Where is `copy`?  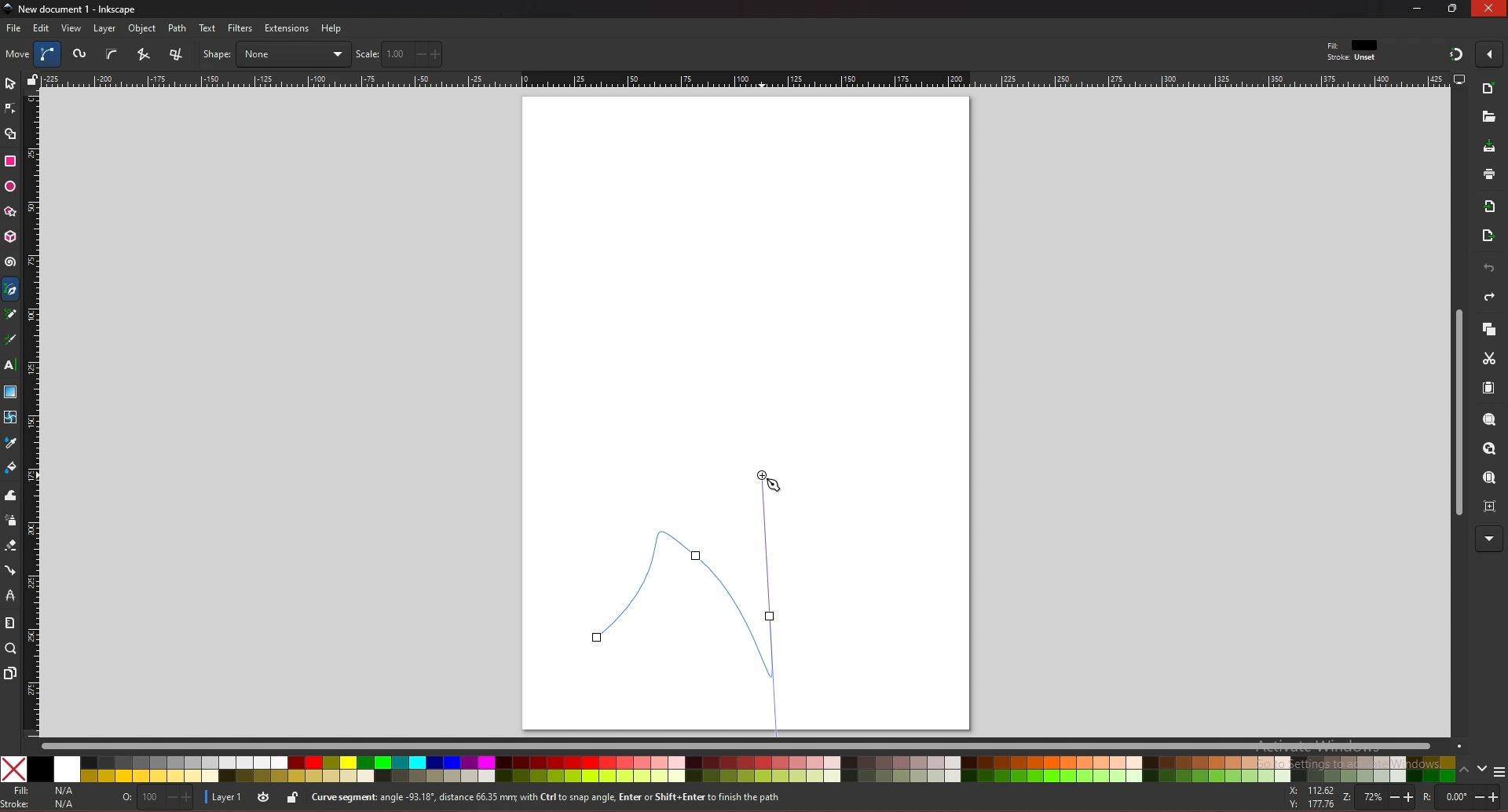
copy is located at coordinates (1488, 330).